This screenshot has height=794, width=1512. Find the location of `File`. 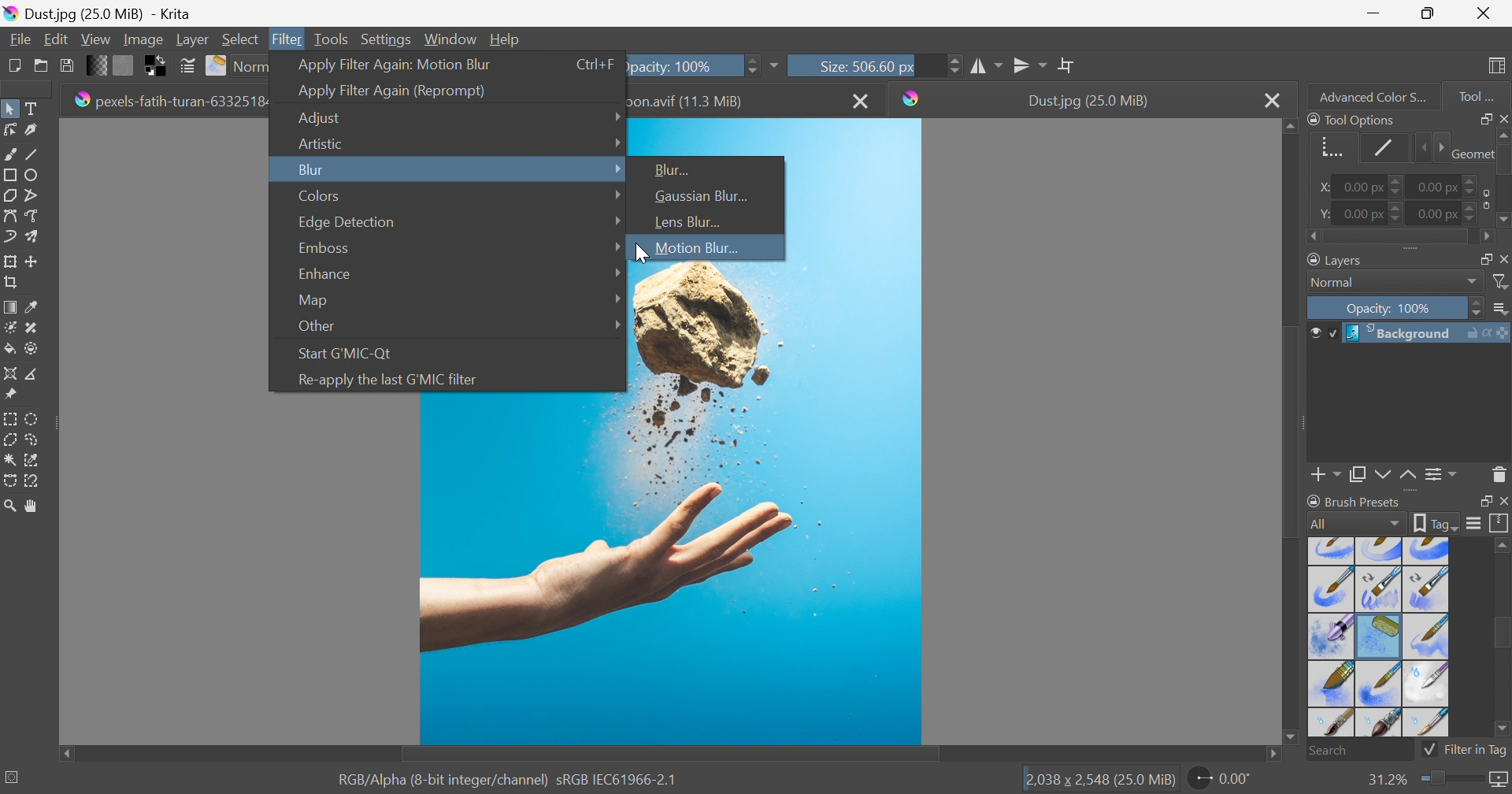

File is located at coordinates (19, 38).